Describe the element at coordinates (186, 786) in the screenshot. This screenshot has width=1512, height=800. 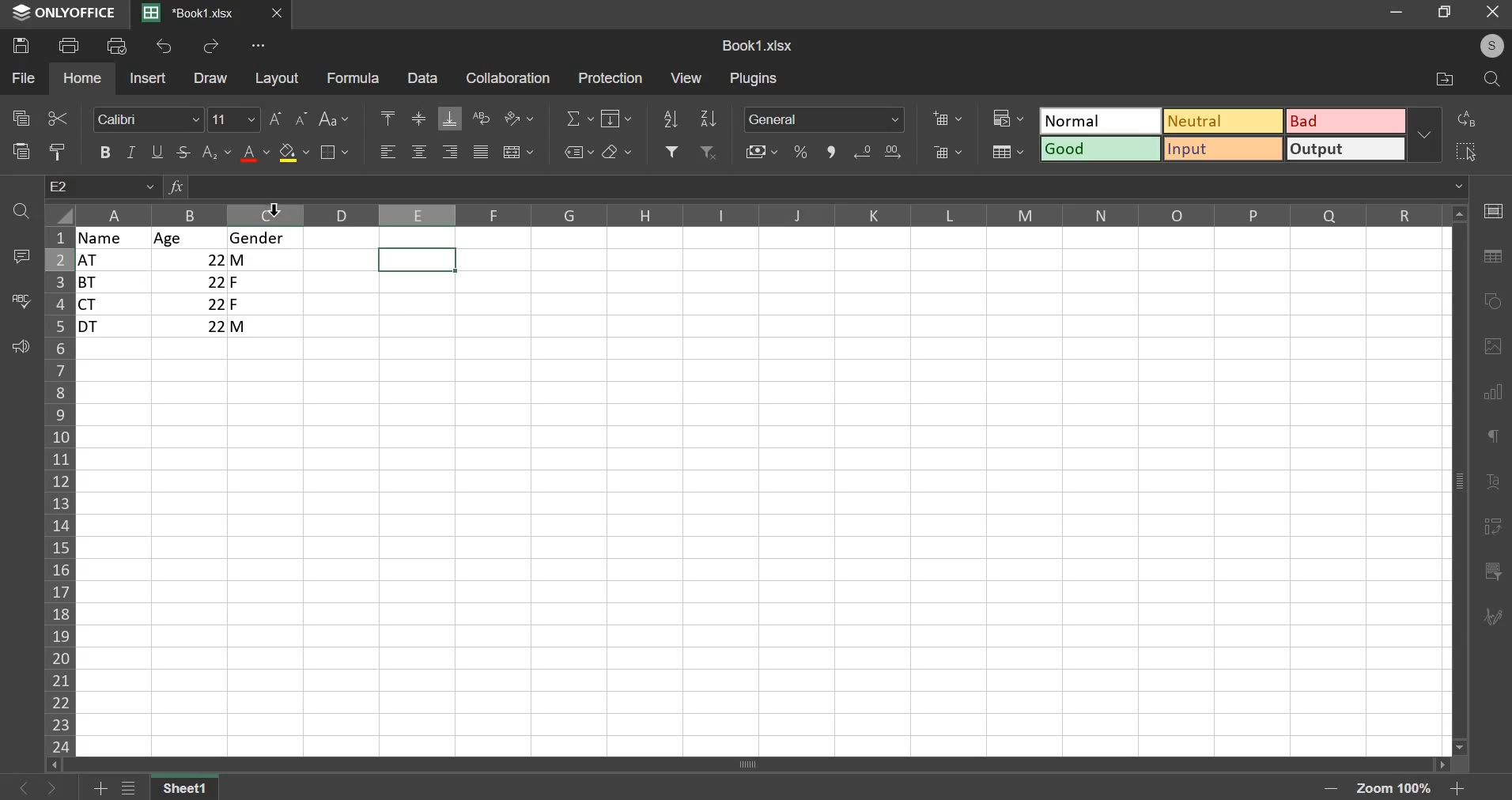
I see `sheet 1` at that location.